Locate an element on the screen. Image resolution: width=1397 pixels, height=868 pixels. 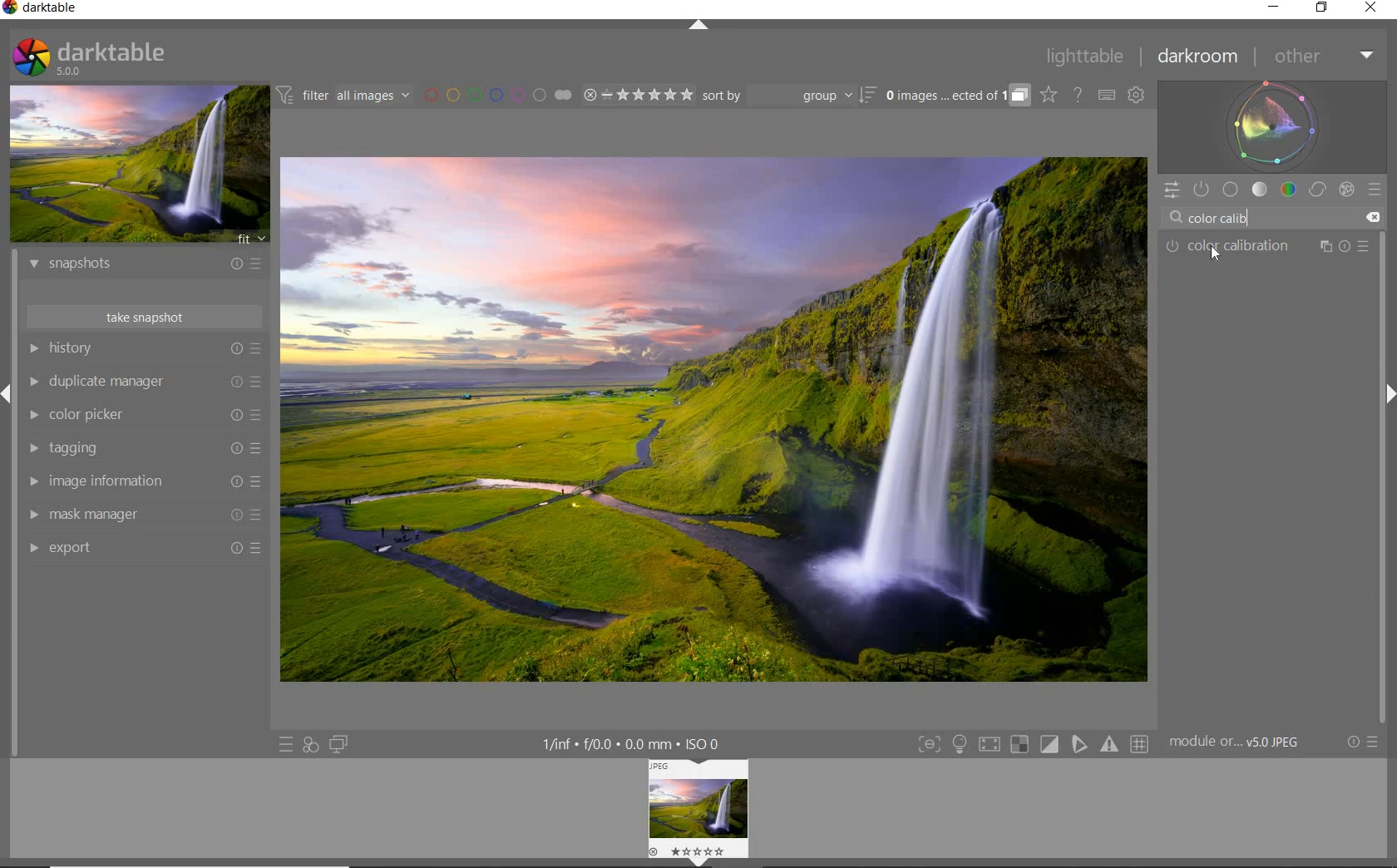
DISPLAY A SECOND DARKROOM IMAGE WINDOW is located at coordinates (339, 744).